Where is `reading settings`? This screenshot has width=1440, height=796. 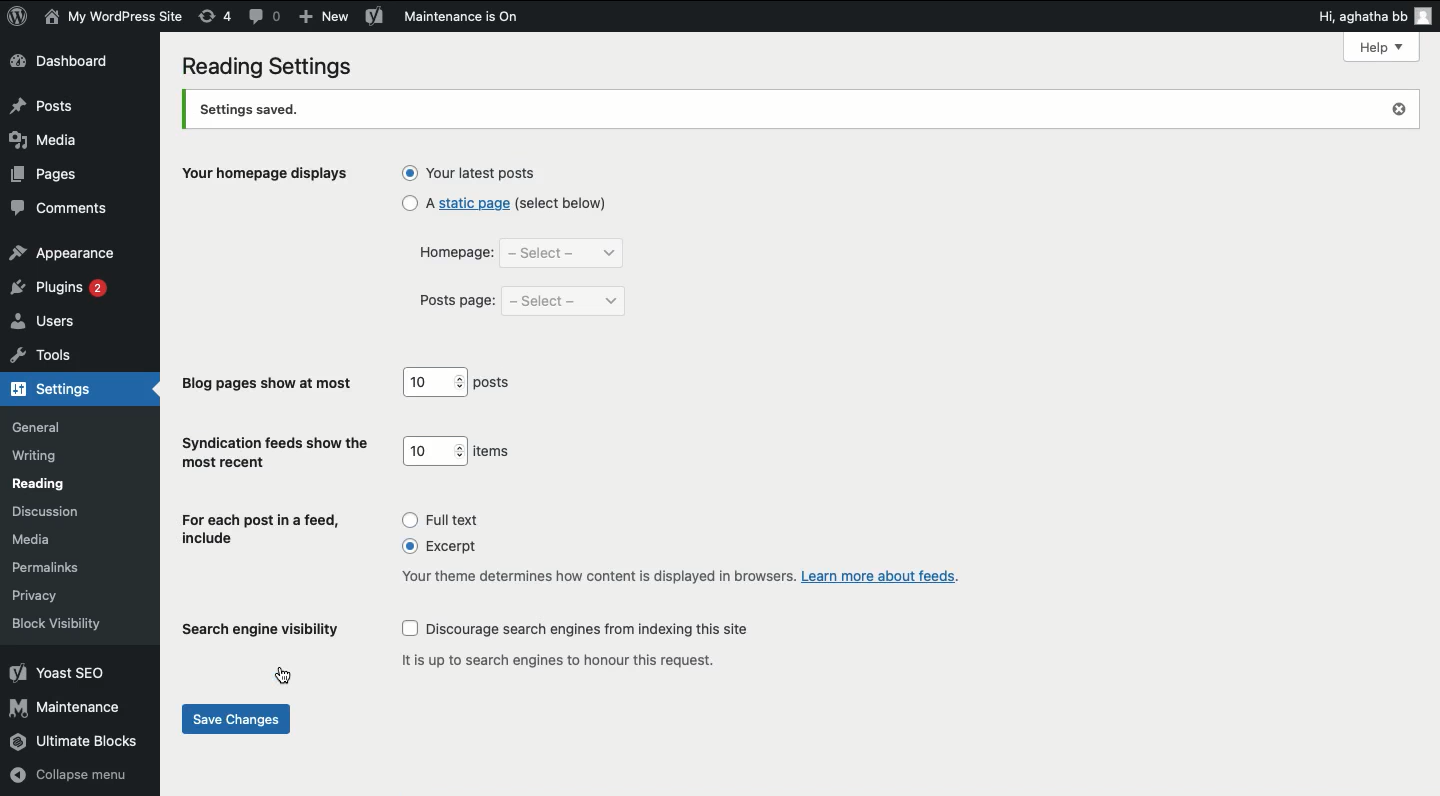 reading settings is located at coordinates (269, 70).